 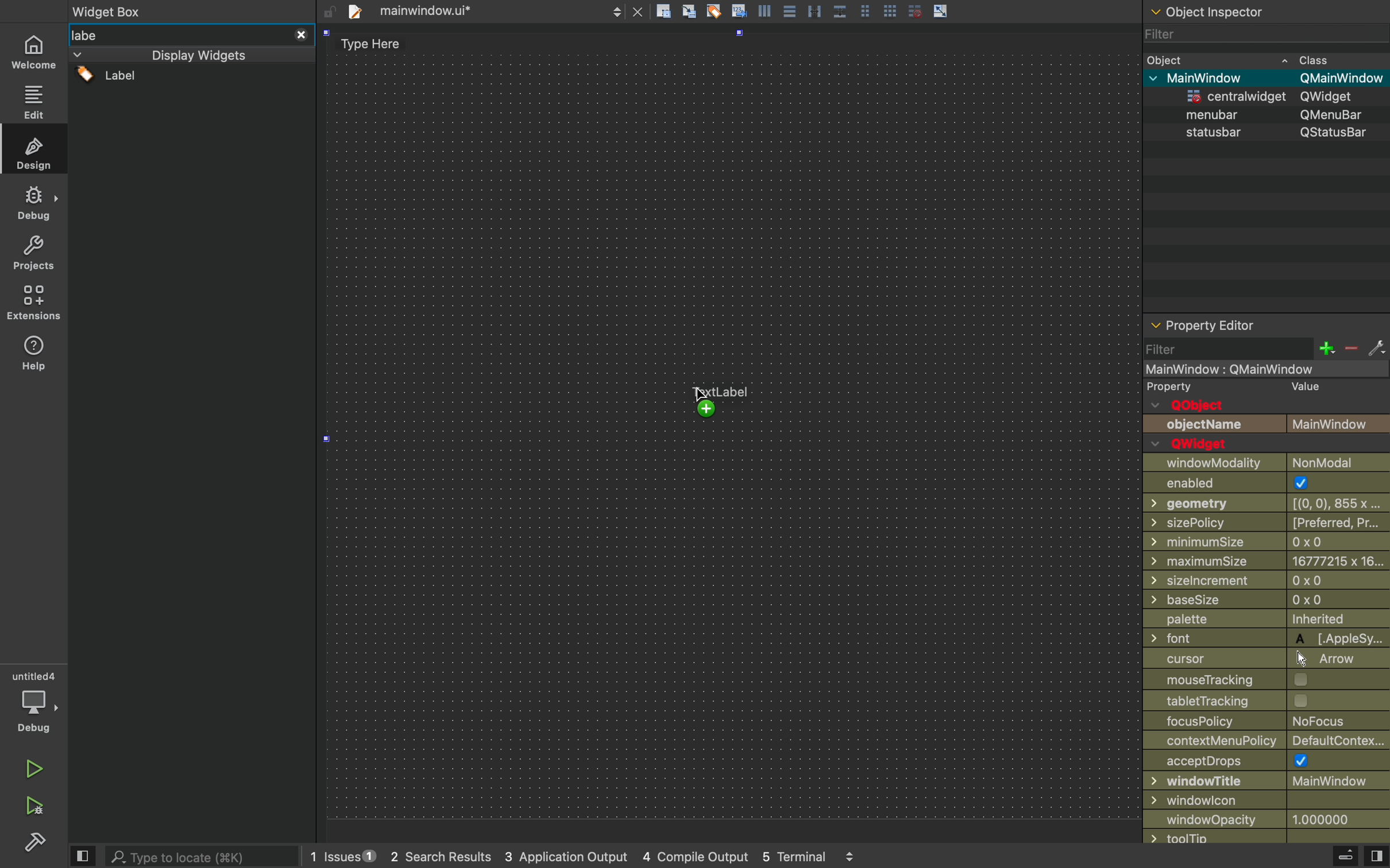 What do you see at coordinates (717, 400) in the screenshot?
I see `widget being dragged` at bounding box center [717, 400].